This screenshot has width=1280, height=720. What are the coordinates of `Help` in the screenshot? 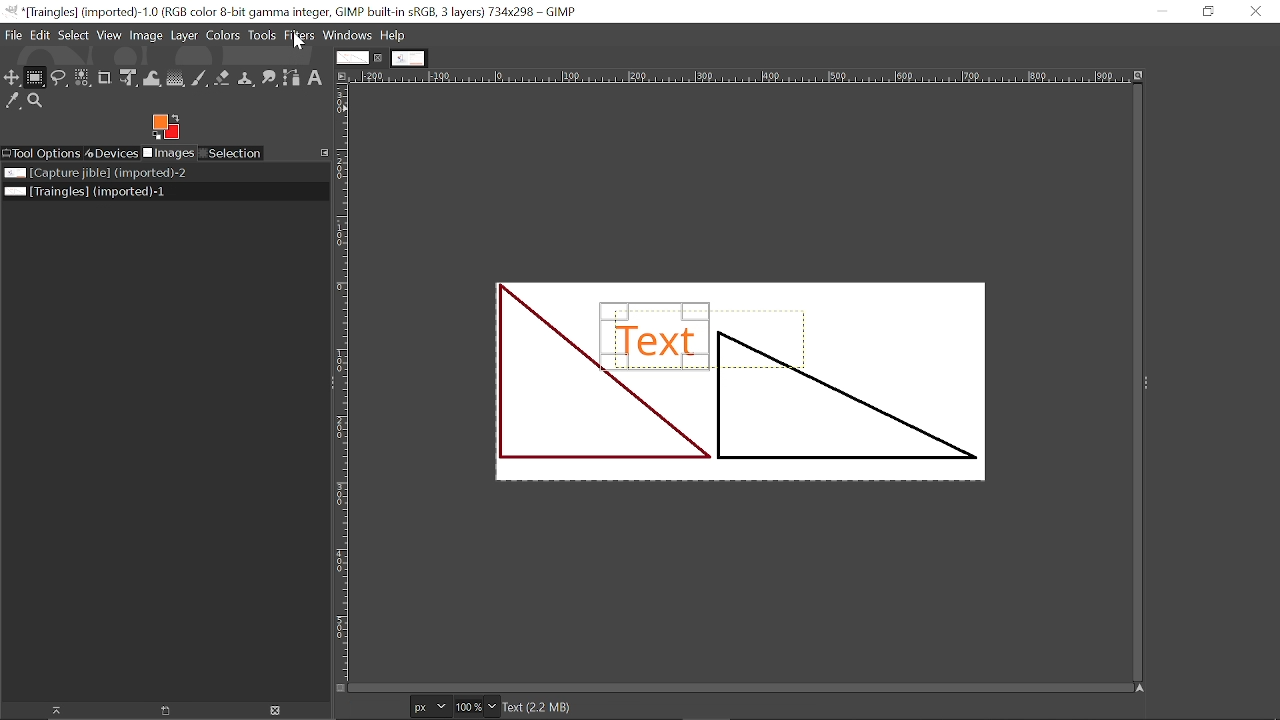 It's located at (393, 35).